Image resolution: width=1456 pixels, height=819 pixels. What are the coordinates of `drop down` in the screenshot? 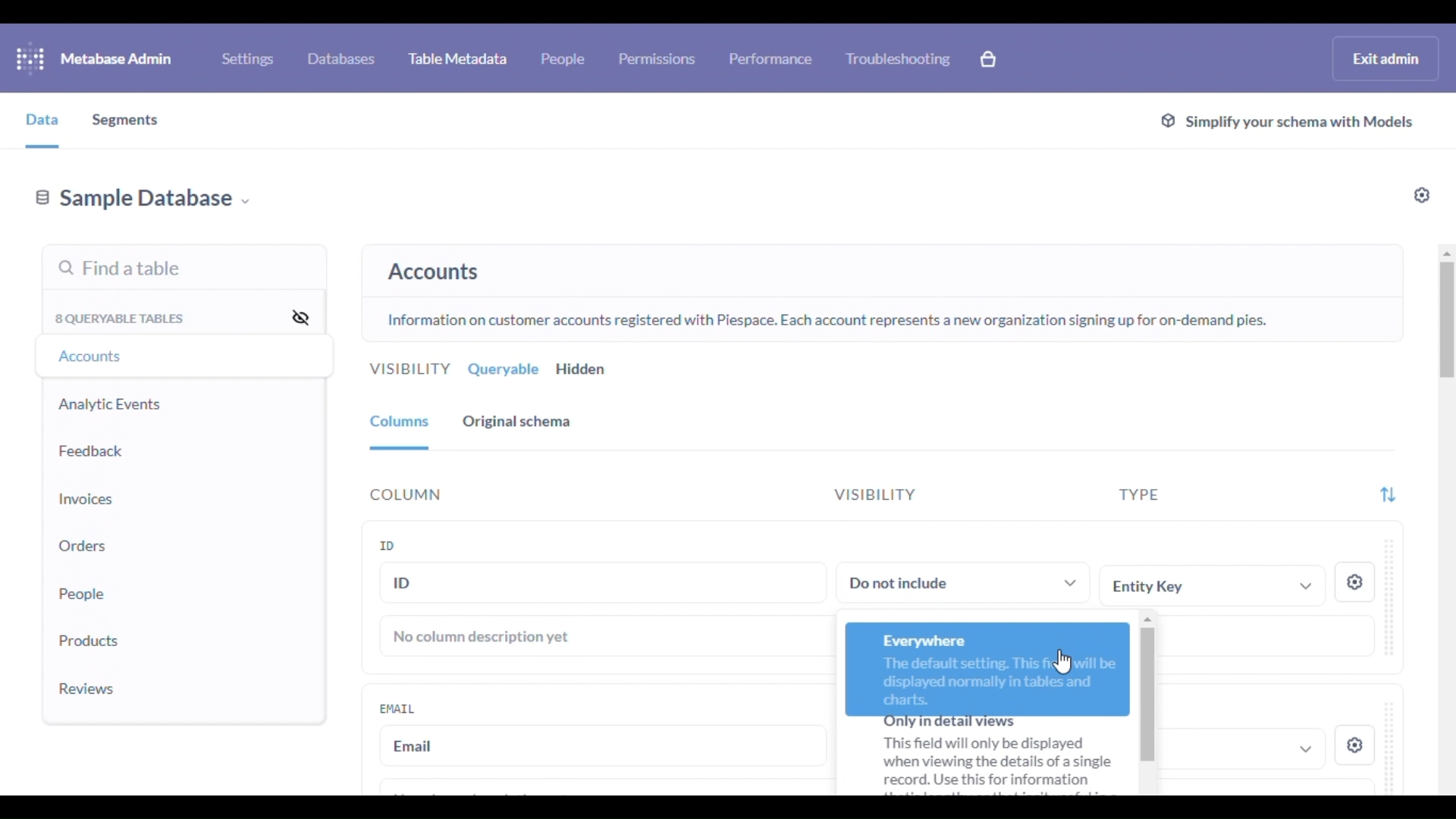 It's located at (1306, 751).